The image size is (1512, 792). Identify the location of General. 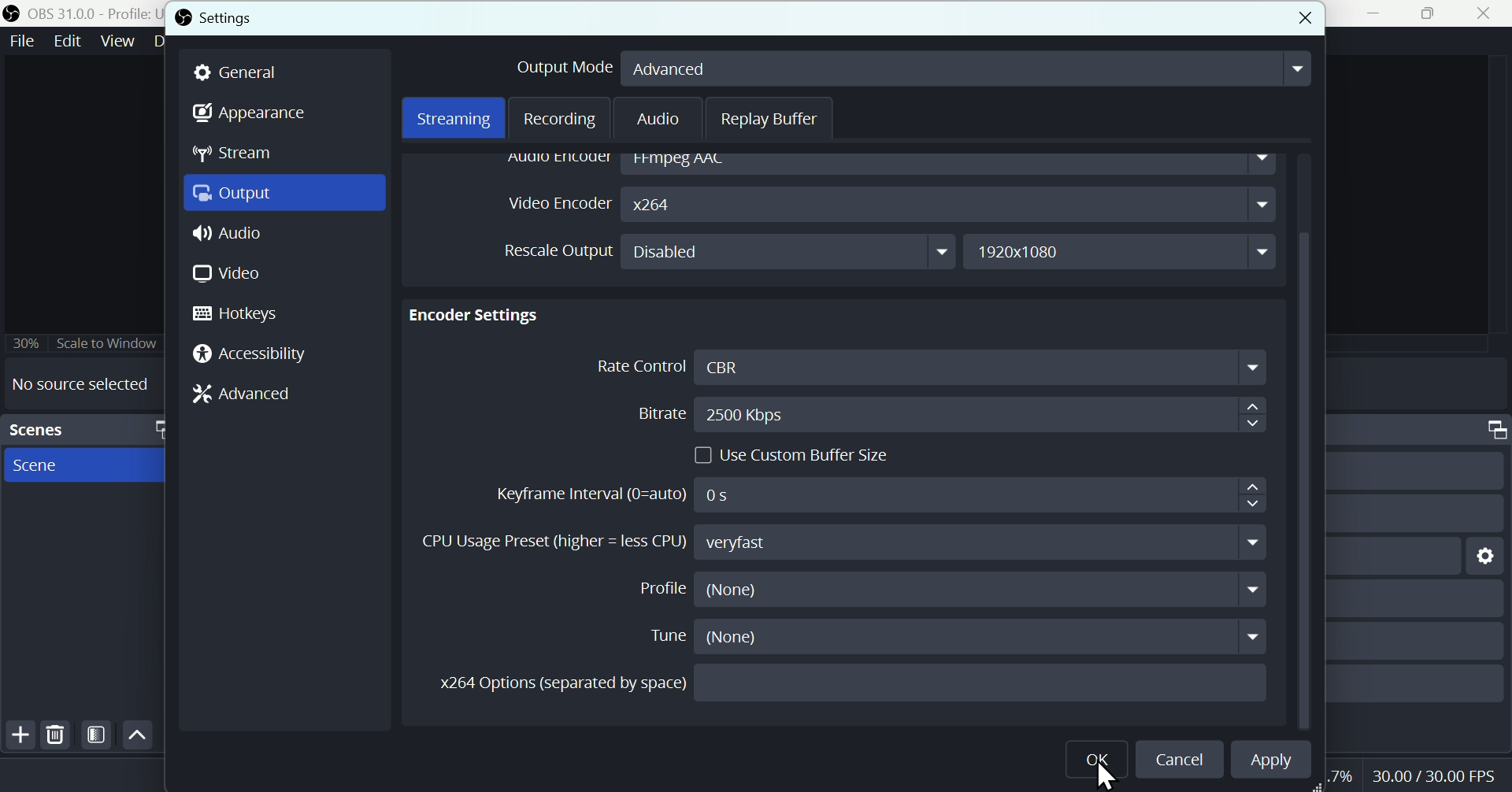
(239, 74).